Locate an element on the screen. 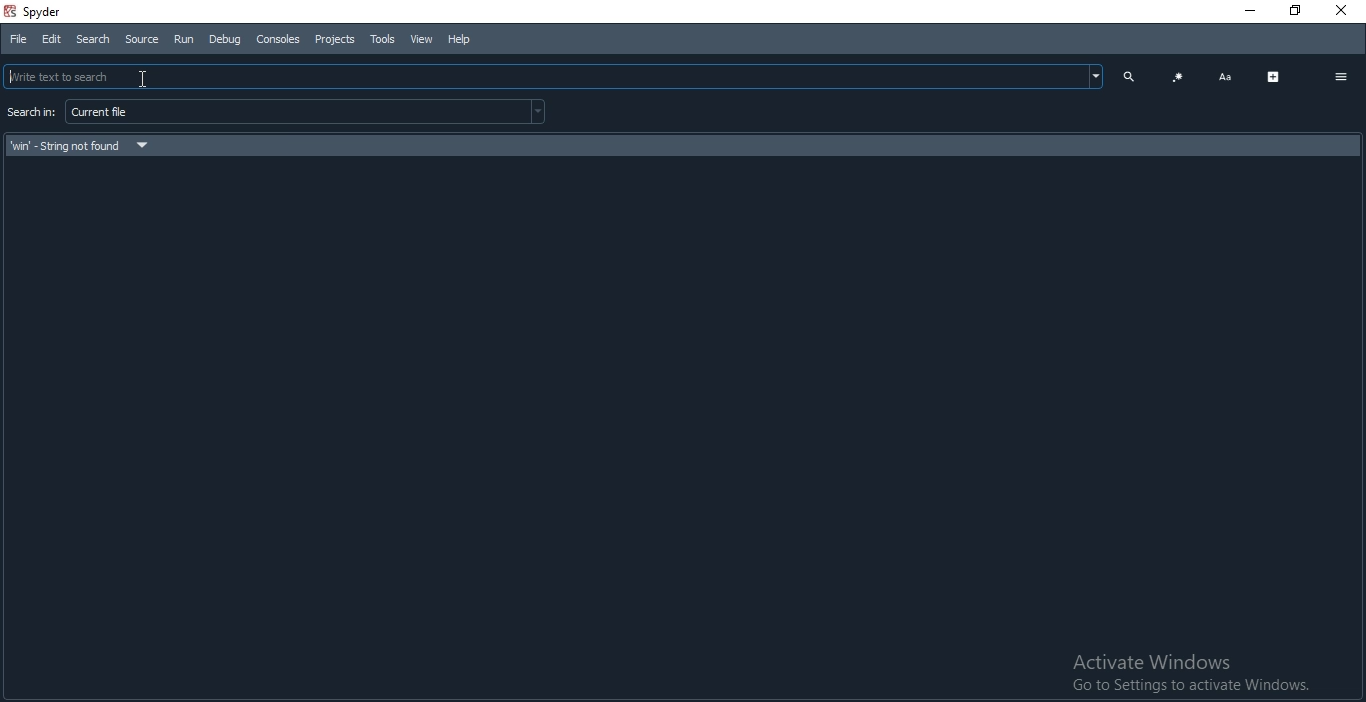 The width and height of the screenshot is (1366, 702). Help is located at coordinates (466, 38).